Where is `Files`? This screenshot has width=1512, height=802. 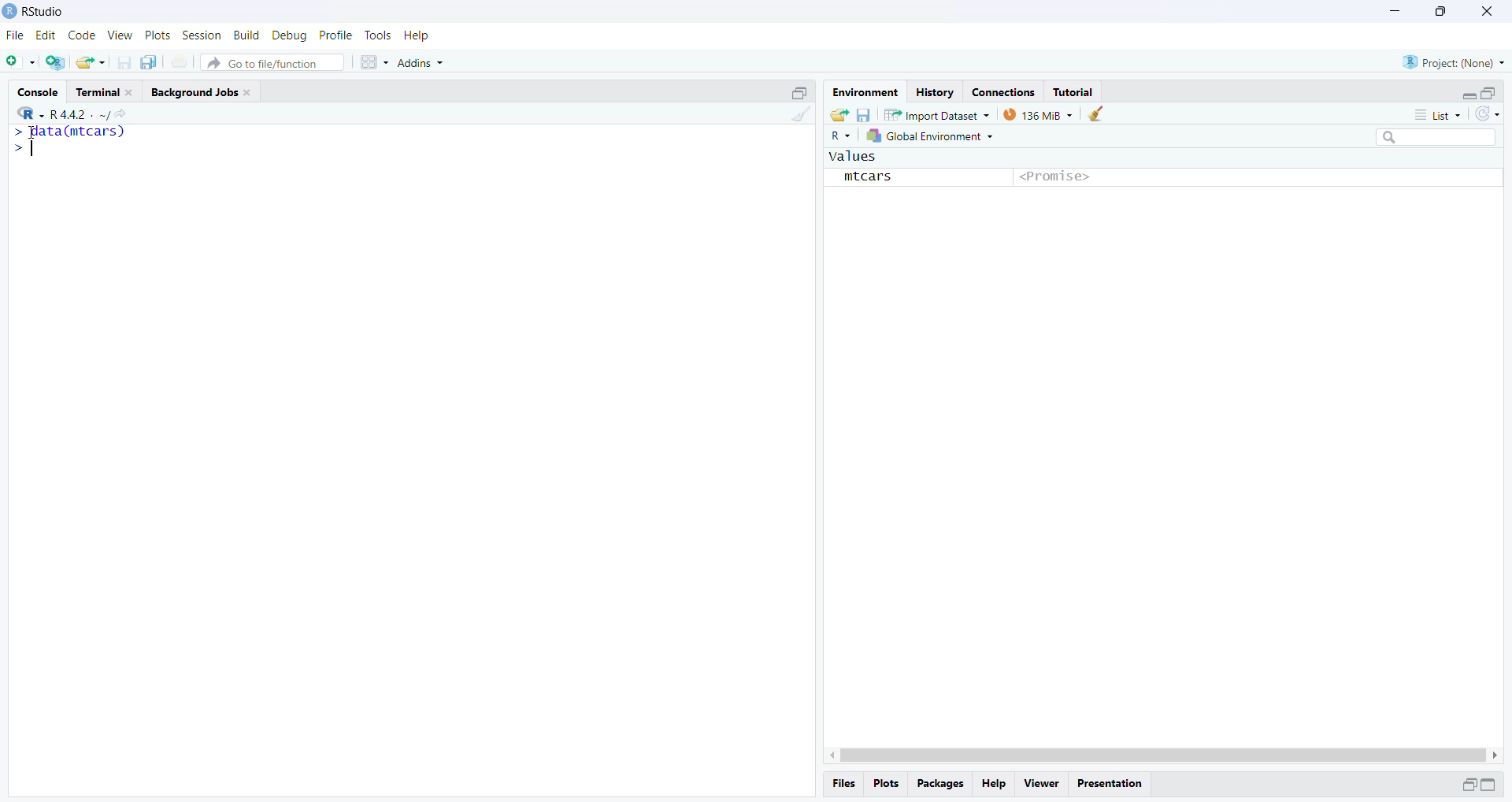 Files is located at coordinates (847, 783).